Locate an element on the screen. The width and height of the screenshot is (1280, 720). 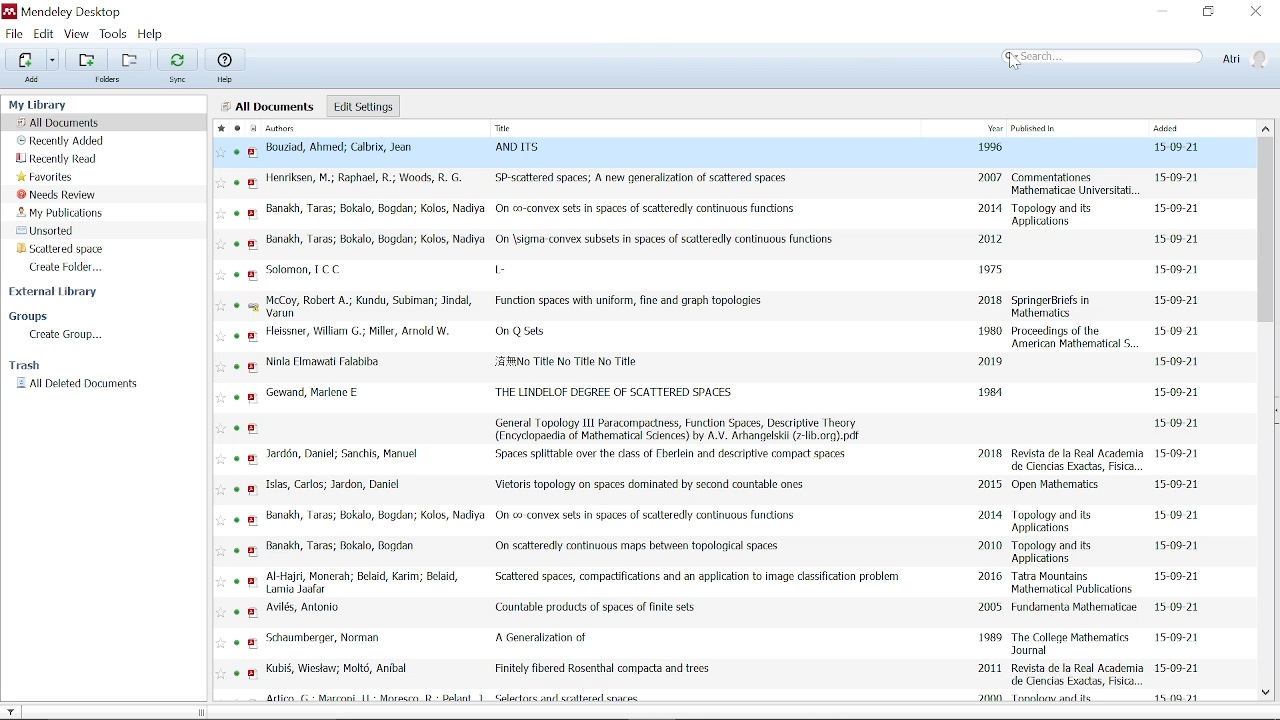
Restore down is located at coordinates (1206, 12).